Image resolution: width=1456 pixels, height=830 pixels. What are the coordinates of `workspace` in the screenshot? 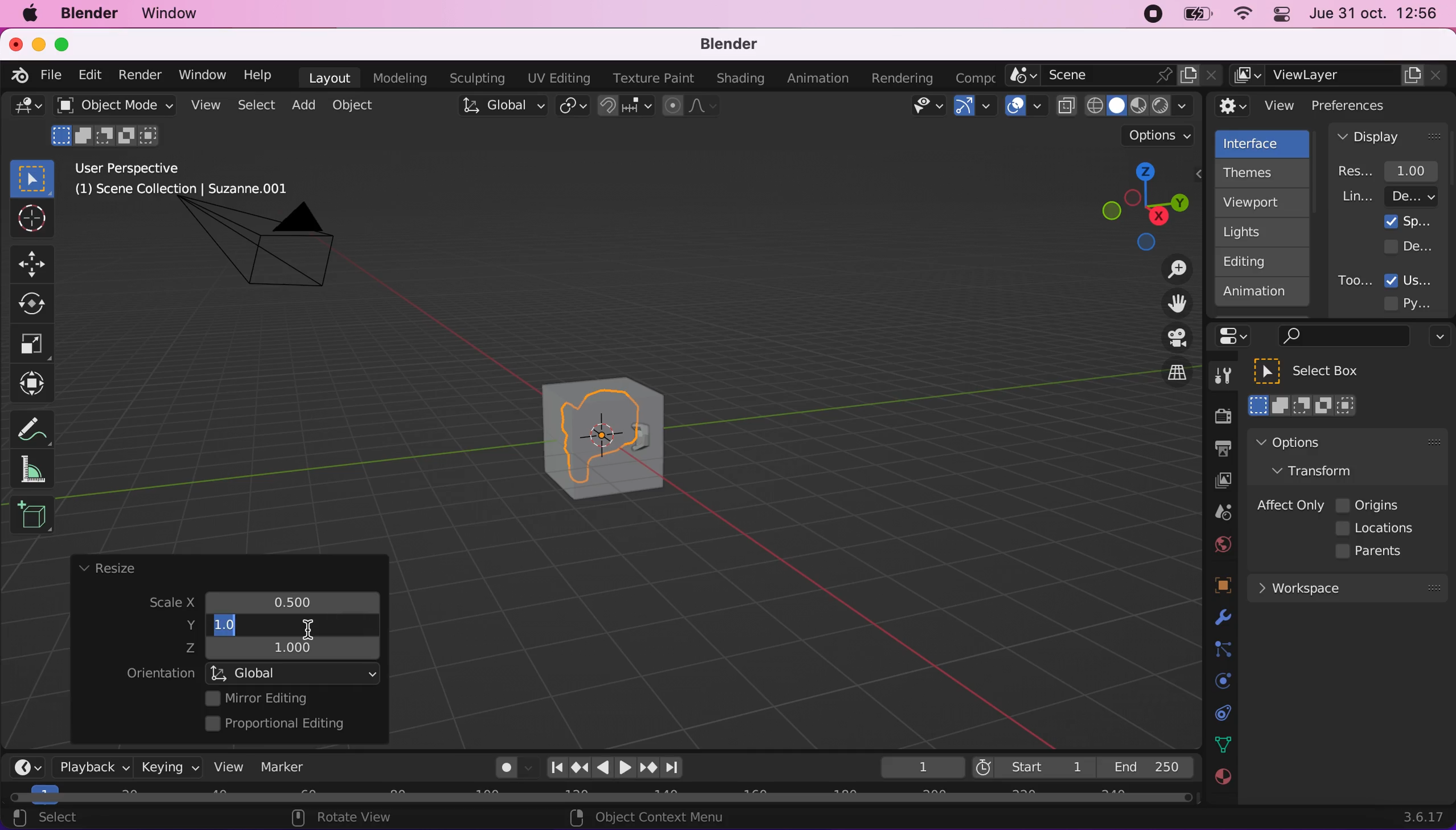 It's located at (1347, 587).